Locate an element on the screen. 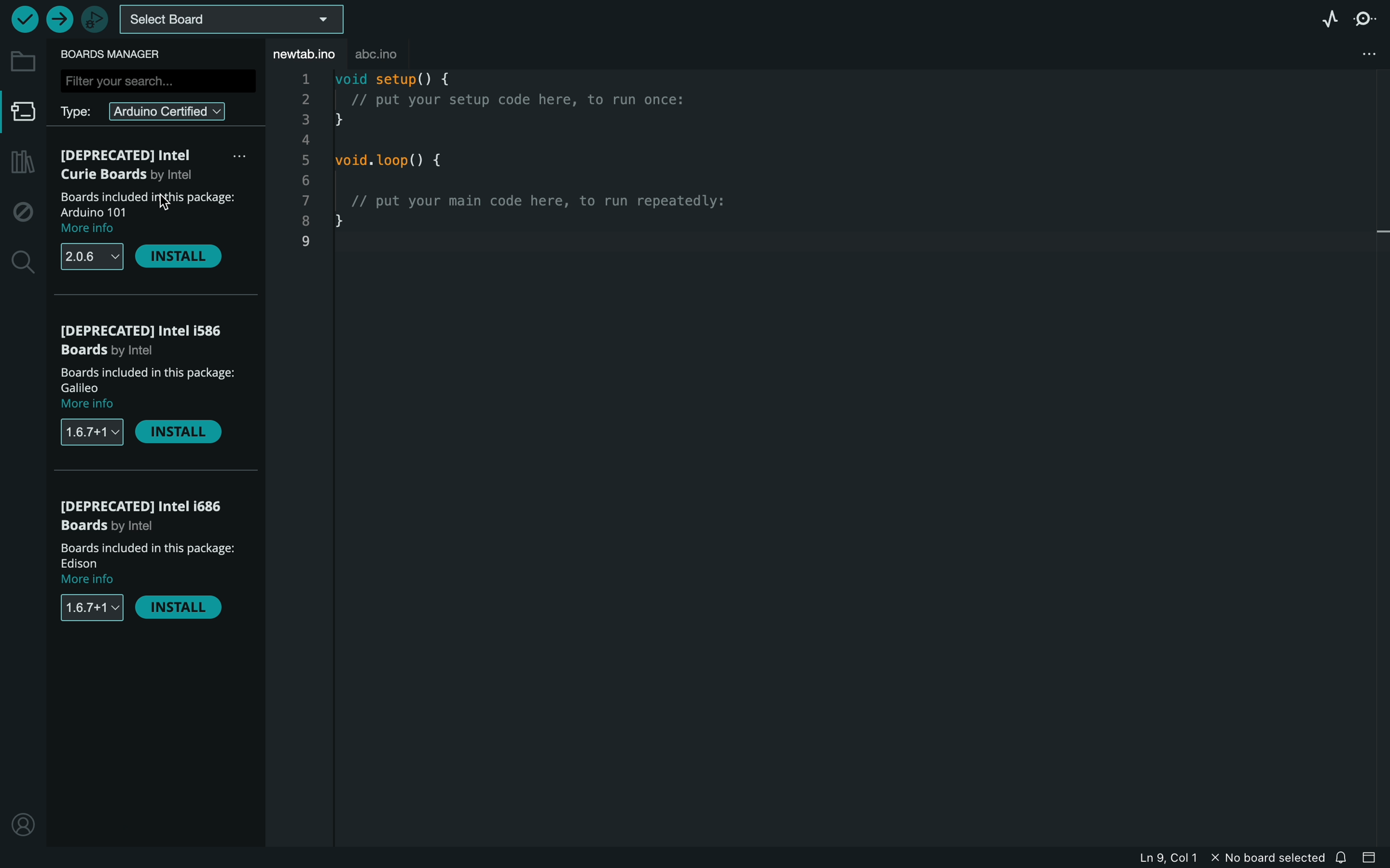 This screenshot has width=1390, height=868. arduino certified is located at coordinates (146, 110).